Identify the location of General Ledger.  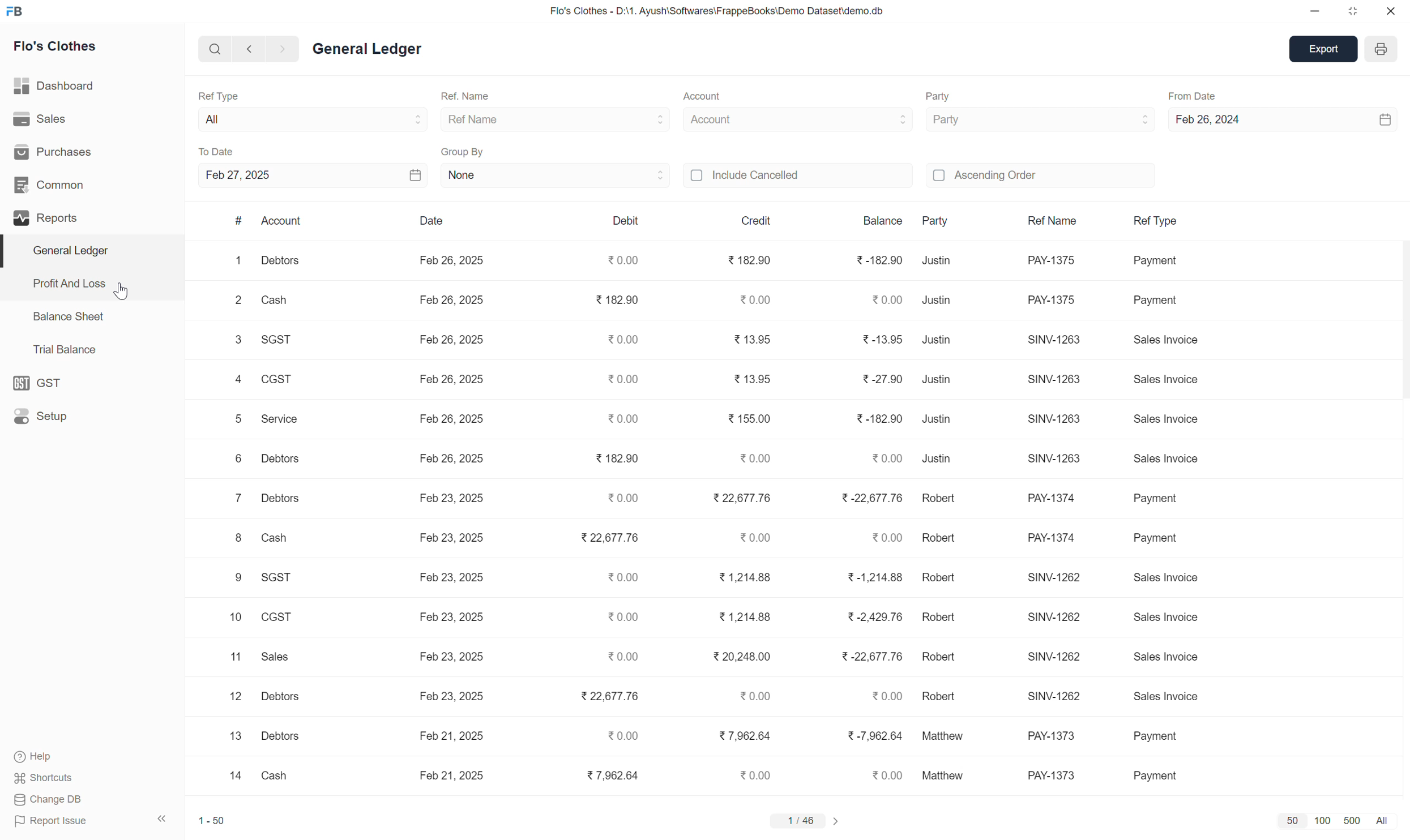
(377, 48).